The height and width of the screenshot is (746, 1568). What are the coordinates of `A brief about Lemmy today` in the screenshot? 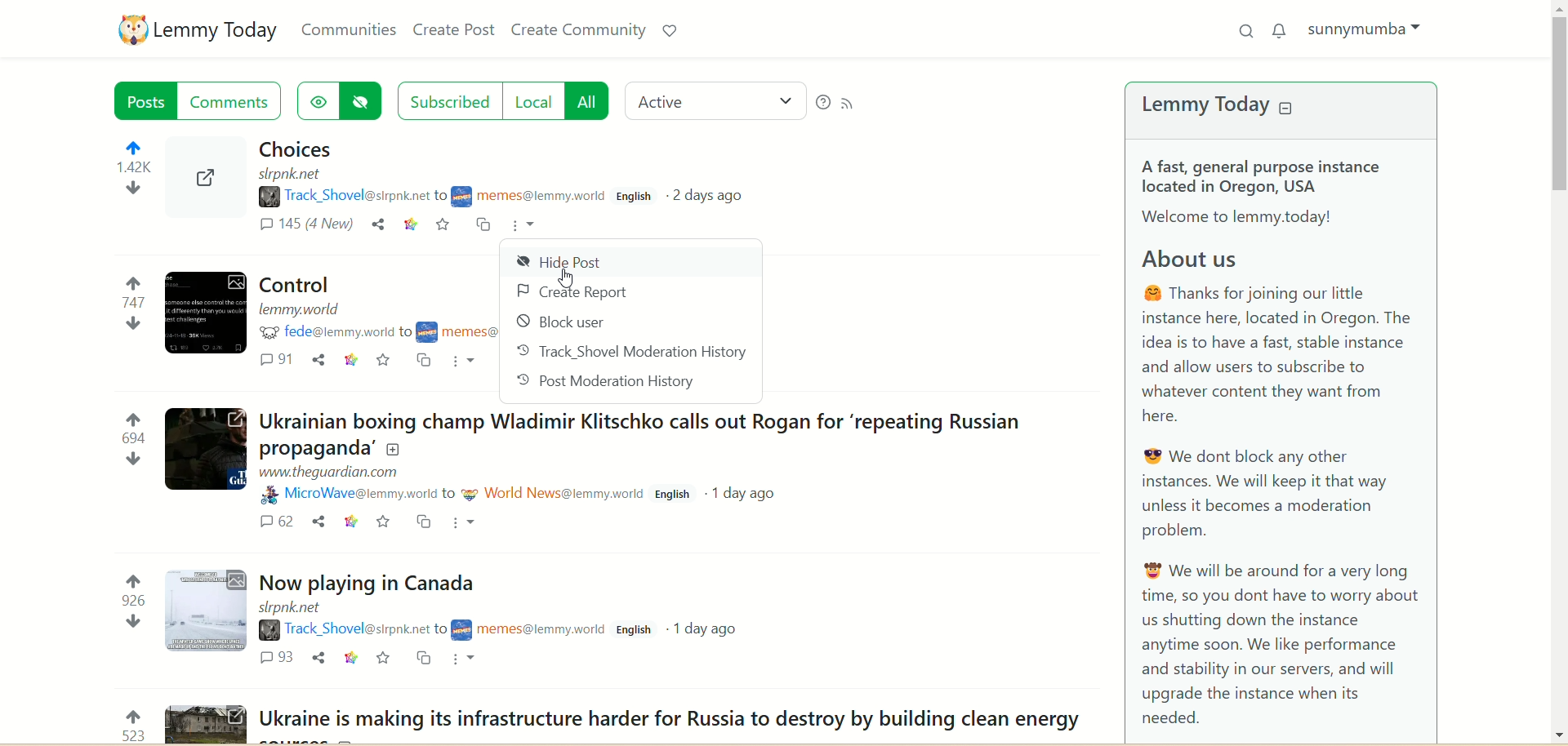 It's located at (1296, 449).